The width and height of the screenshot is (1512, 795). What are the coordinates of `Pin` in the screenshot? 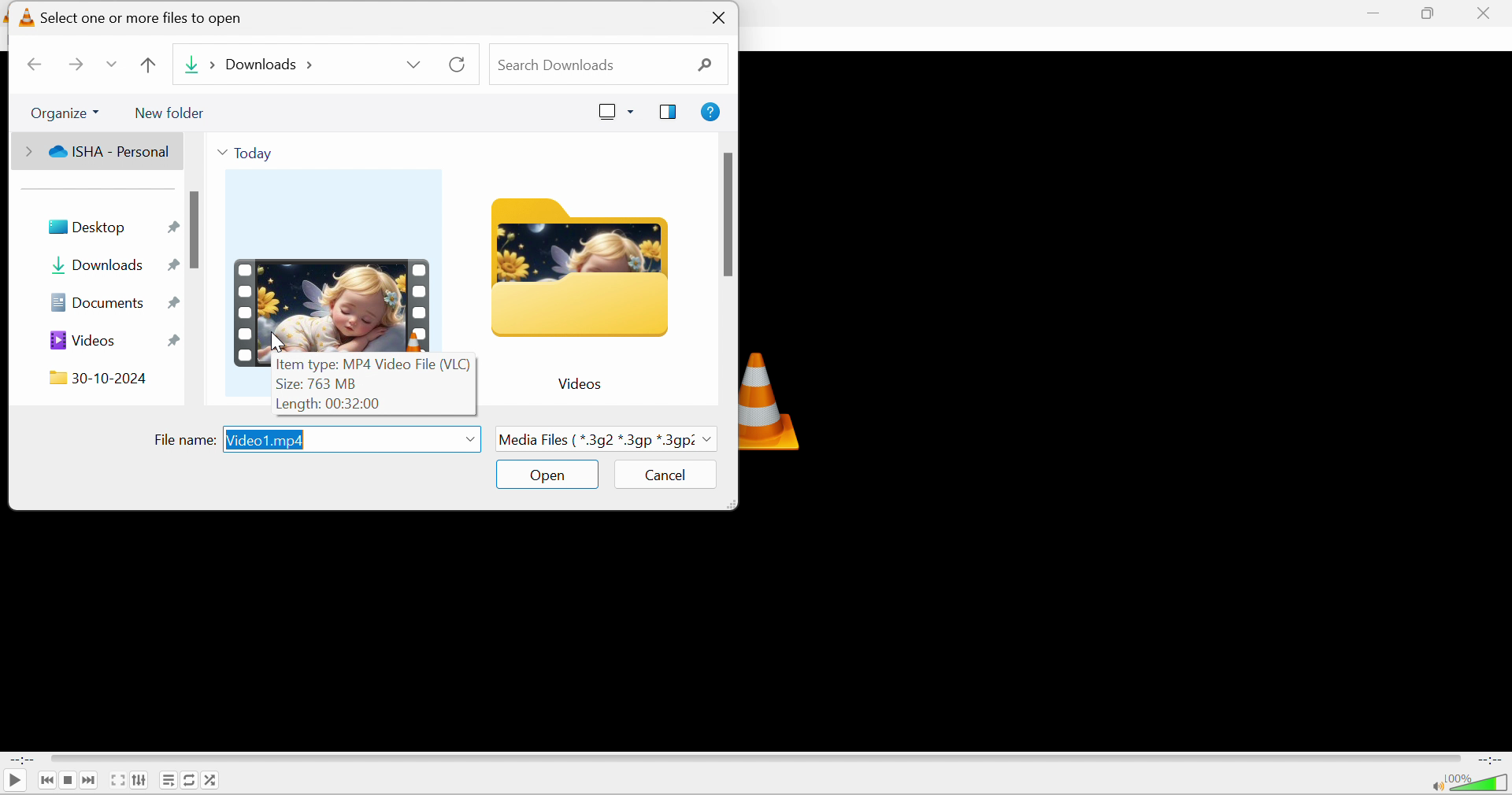 It's located at (180, 342).